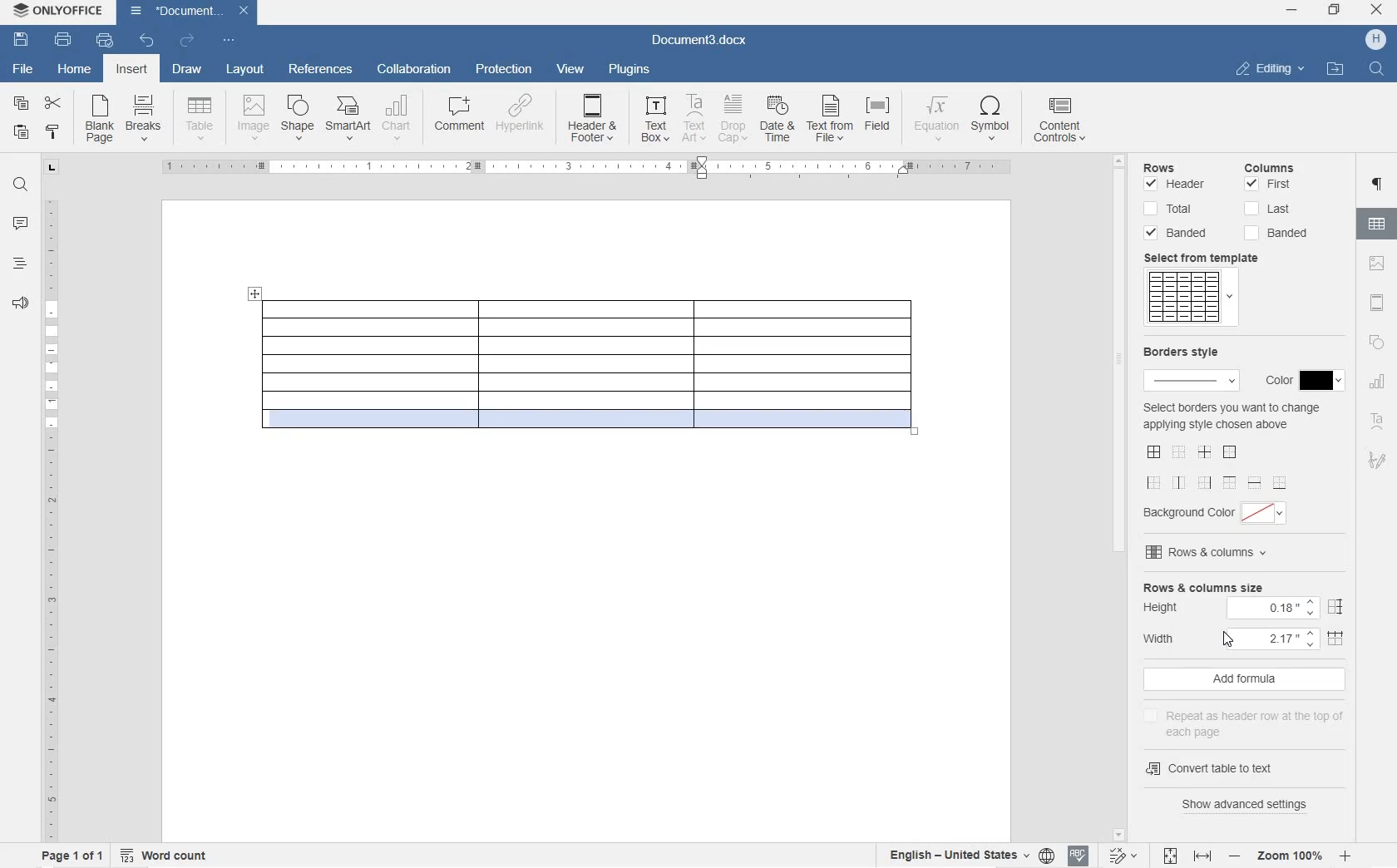  What do you see at coordinates (200, 121) in the screenshot?
I see `TABLE` at bounding box center [200, 121].